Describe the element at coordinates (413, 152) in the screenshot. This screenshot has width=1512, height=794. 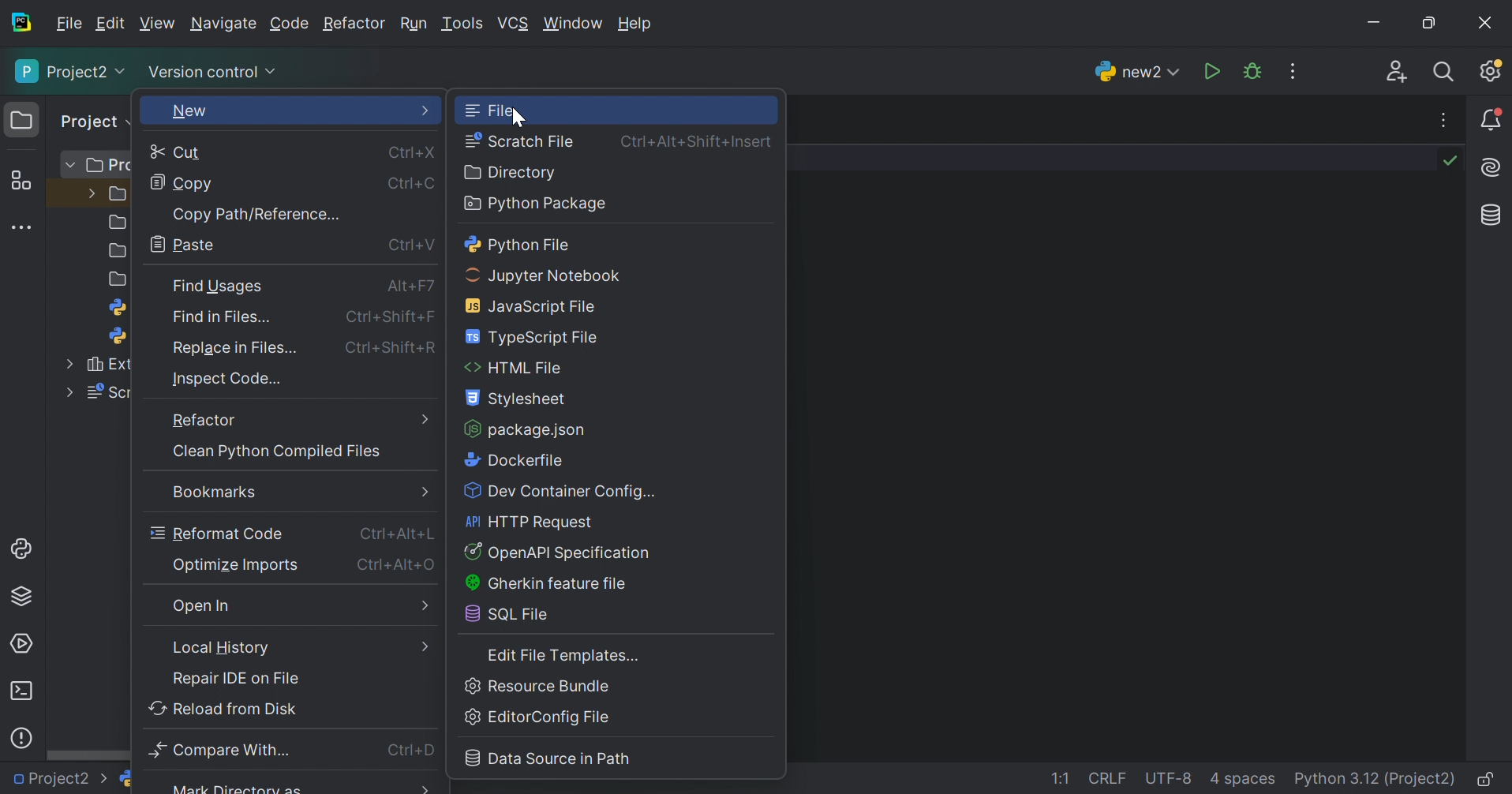
I see `Ctrl+X` at that location.